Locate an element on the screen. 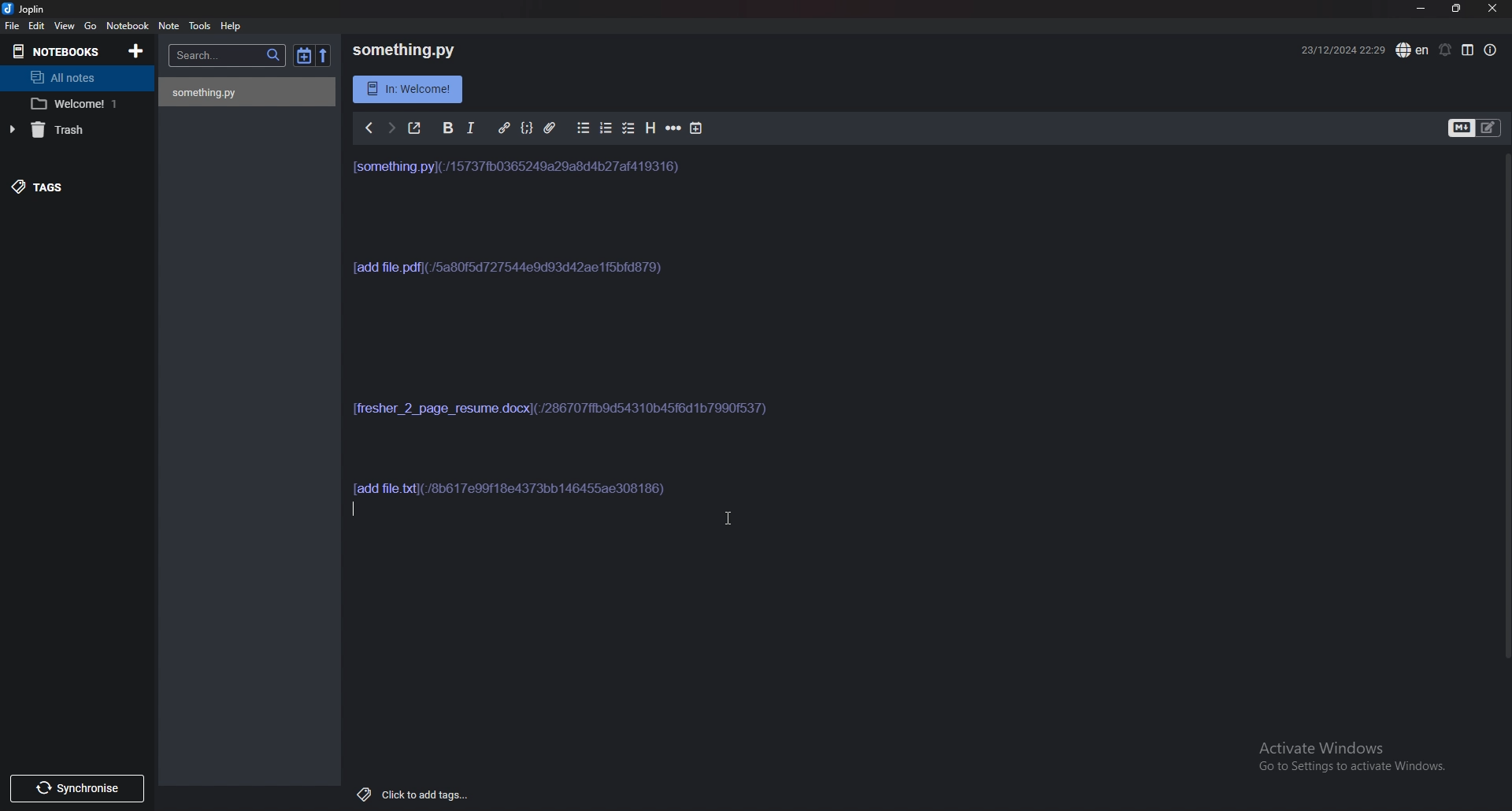 This screenshot has height=811, width=1512. insert time is located at coordinates (697, 128).